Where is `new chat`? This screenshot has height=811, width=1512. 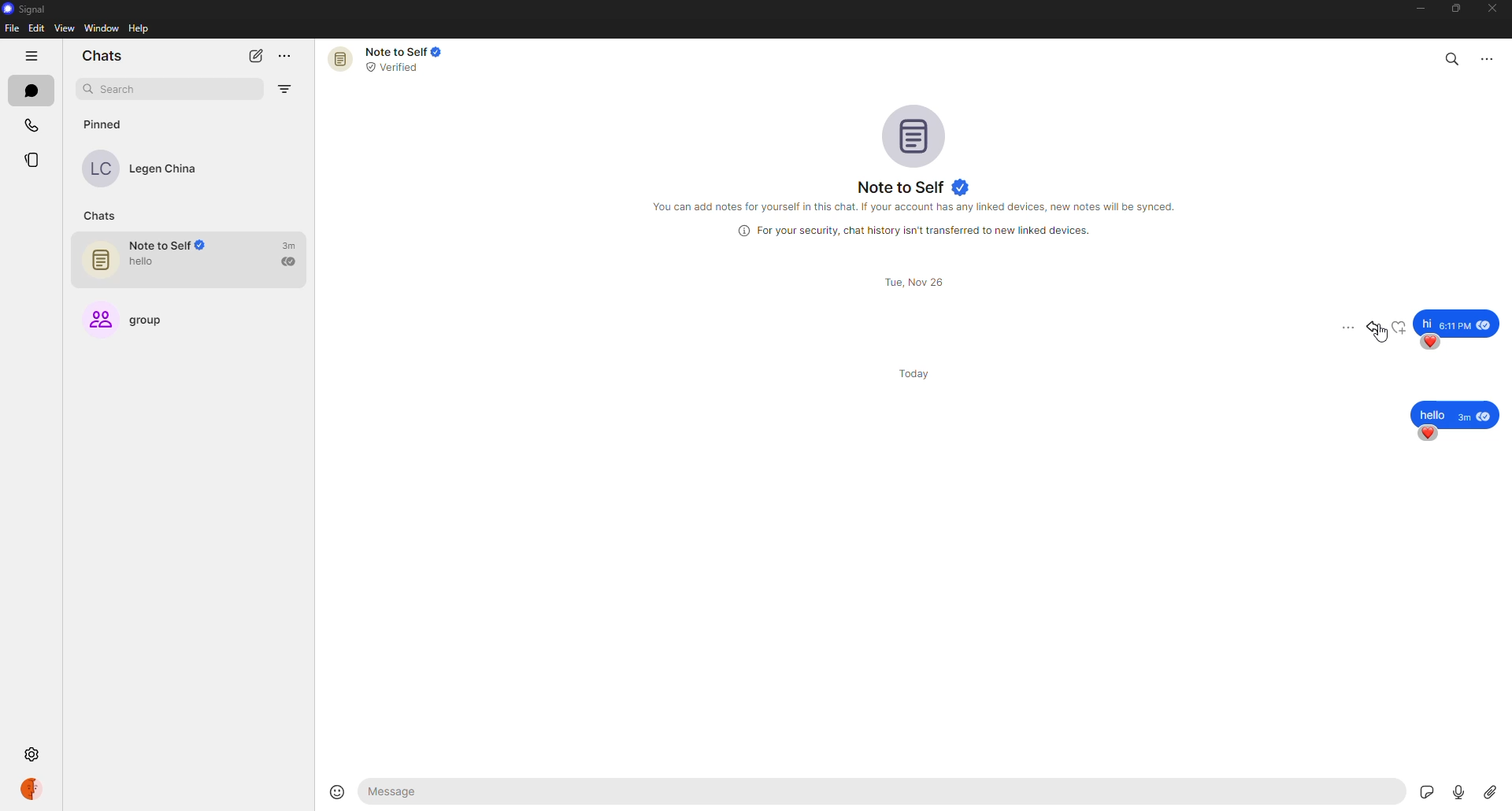
new chat is located at coordinates (256, 55).